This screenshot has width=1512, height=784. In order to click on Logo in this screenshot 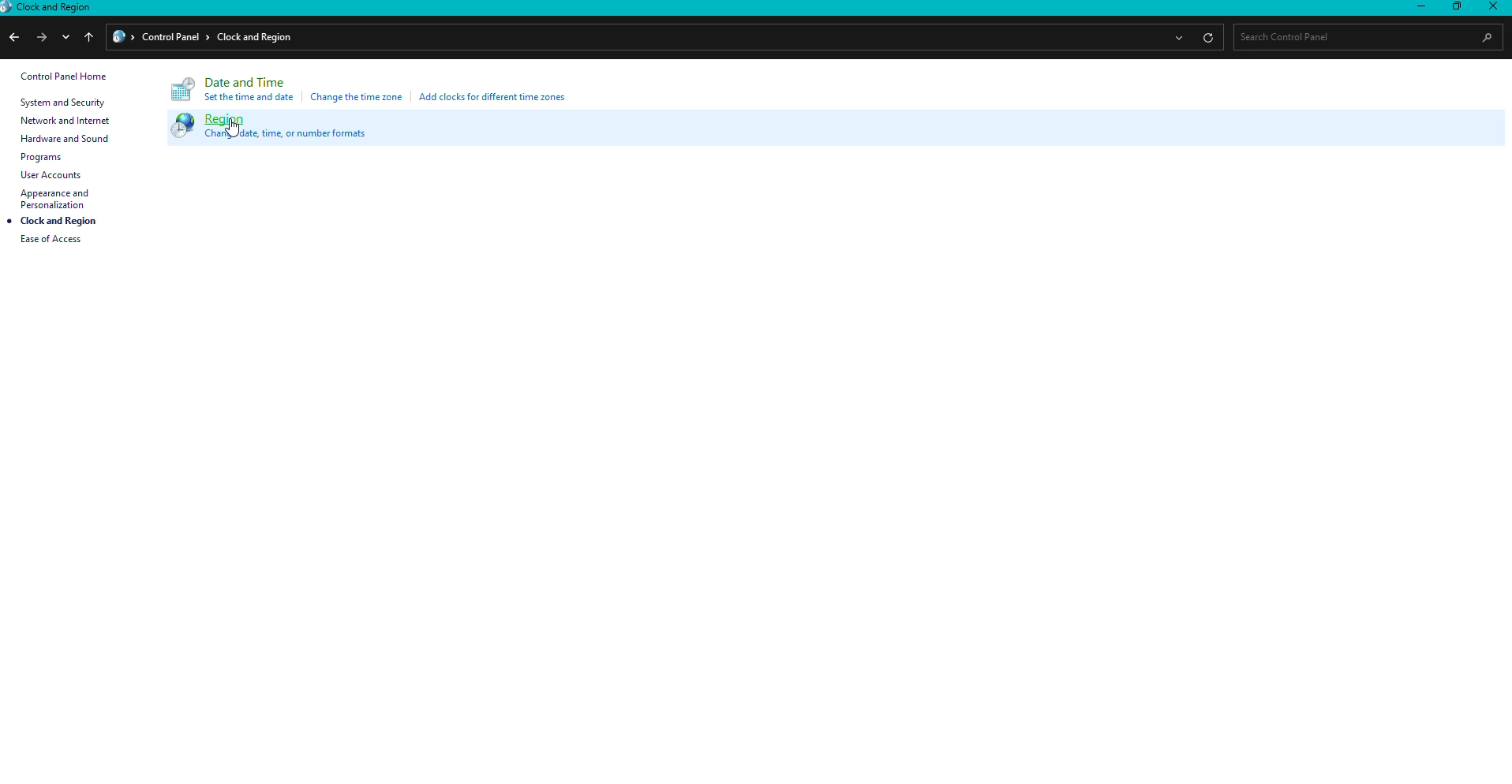, I will do `click(182, 91)`.